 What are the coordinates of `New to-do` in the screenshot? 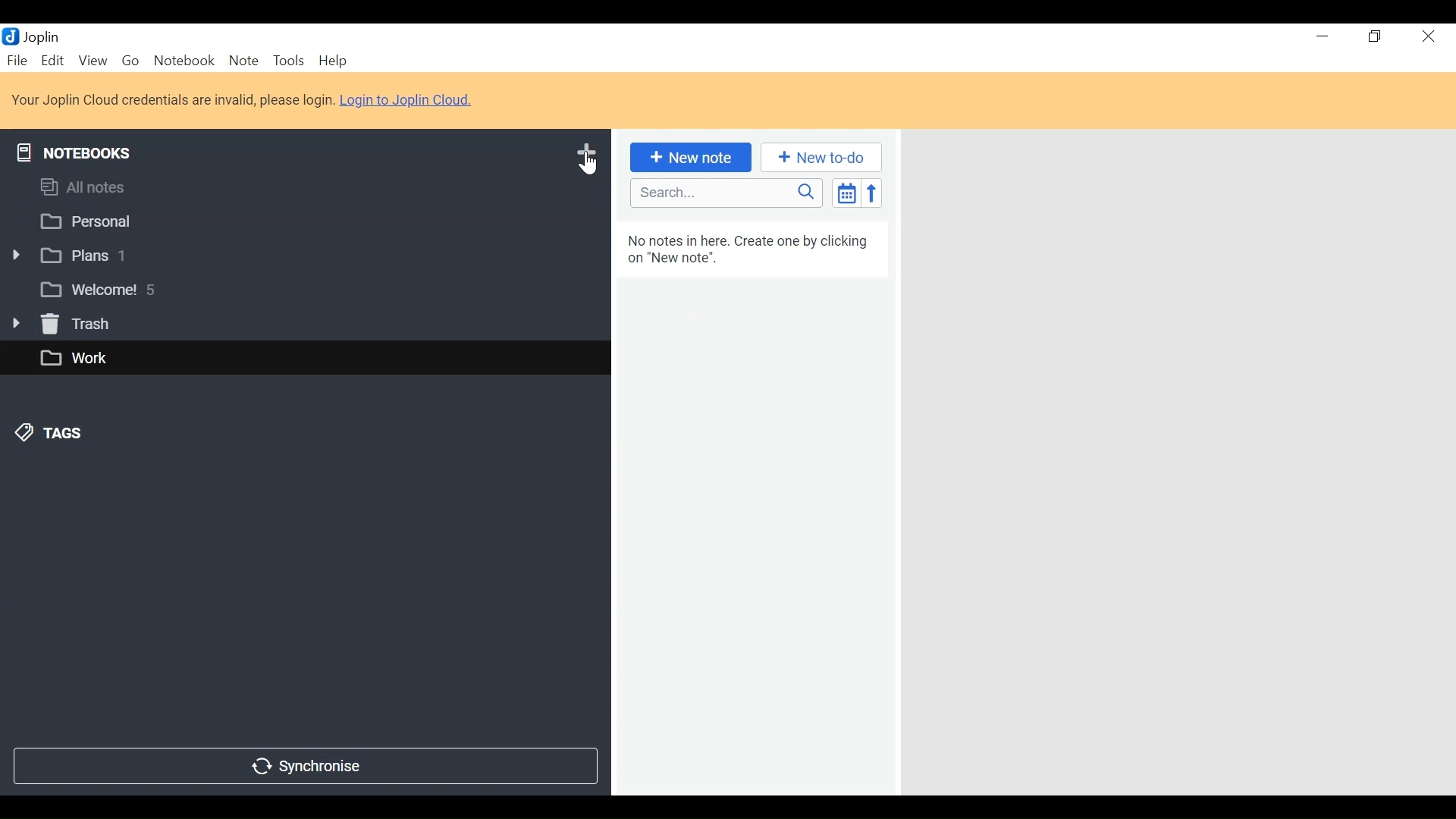 It's located at (821, 158).